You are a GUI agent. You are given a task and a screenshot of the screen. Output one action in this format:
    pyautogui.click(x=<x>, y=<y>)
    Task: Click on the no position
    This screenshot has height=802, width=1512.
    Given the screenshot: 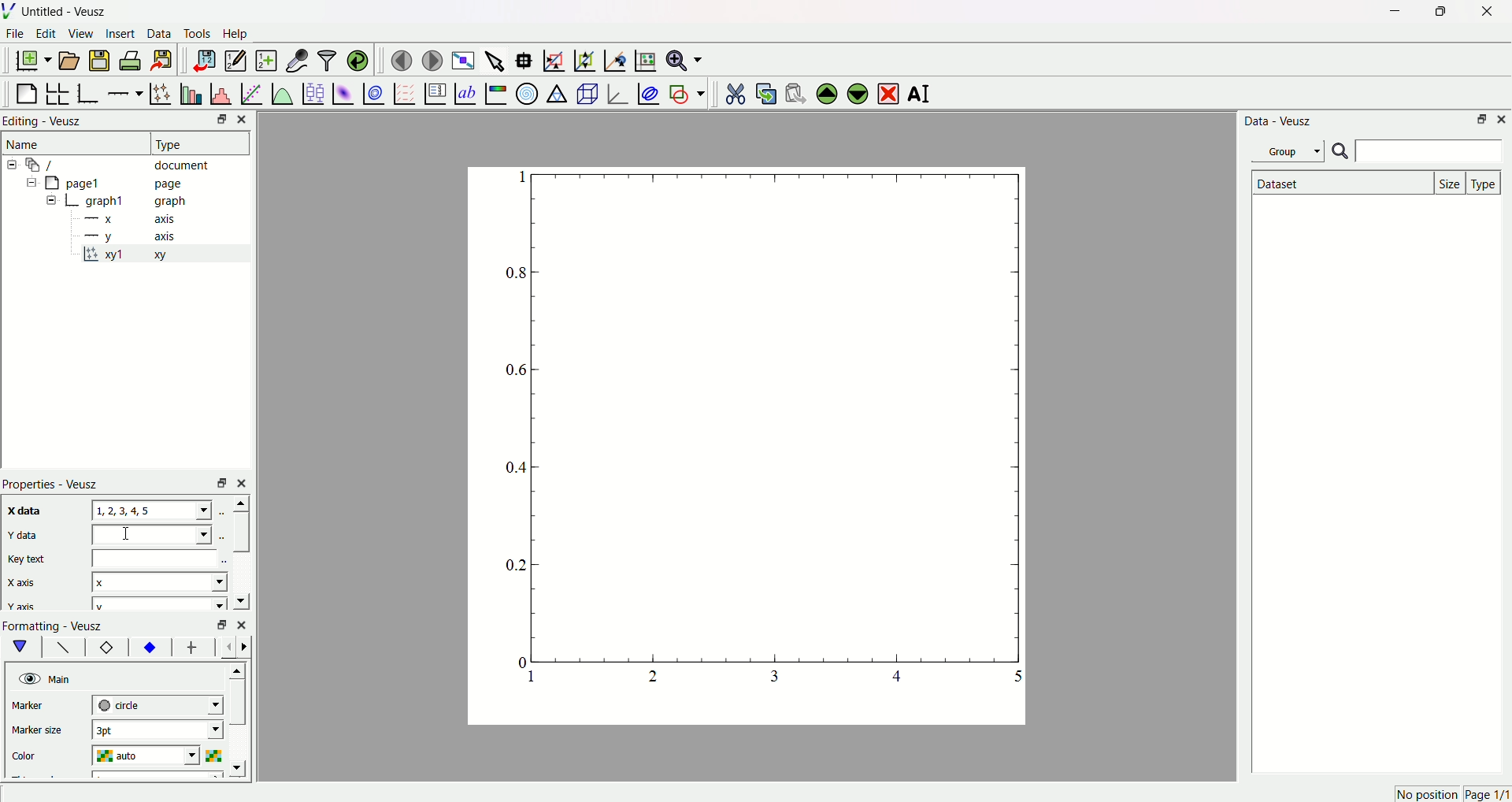 What is the action you would take?
    pyautogui.click(x=1425, y=794)
    